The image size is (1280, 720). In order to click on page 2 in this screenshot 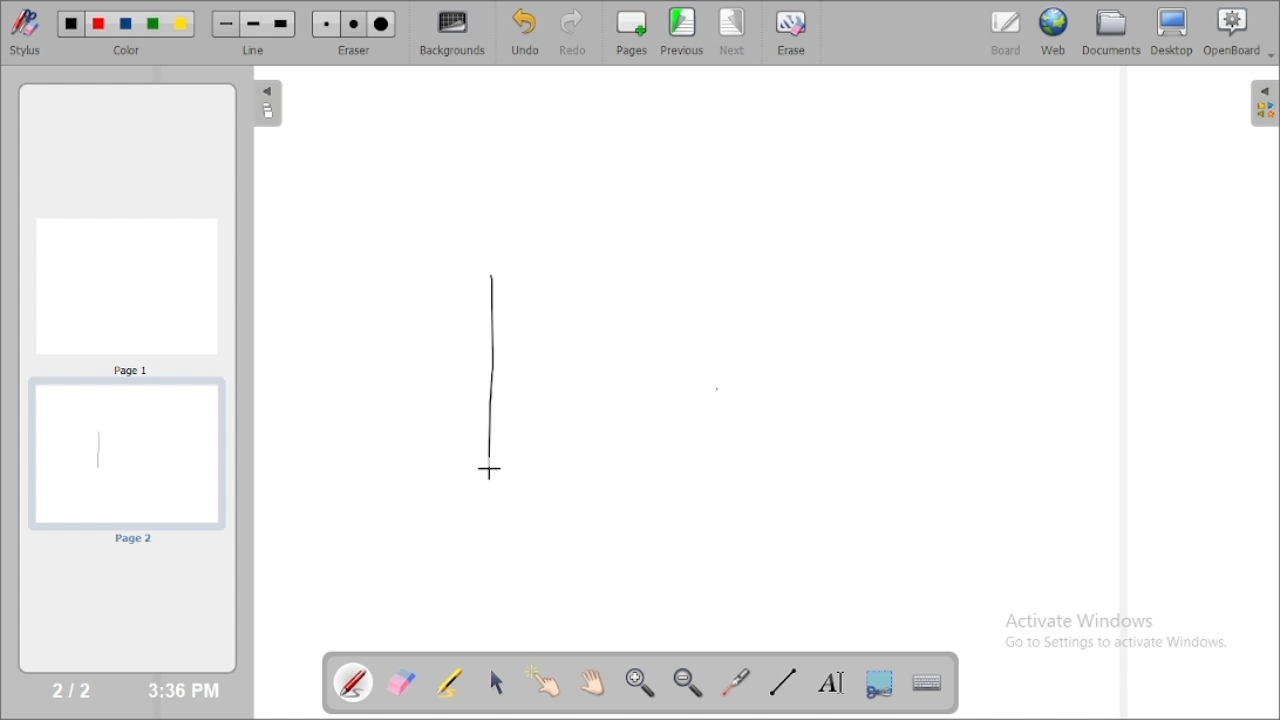, I will do `click(126, 464)`.